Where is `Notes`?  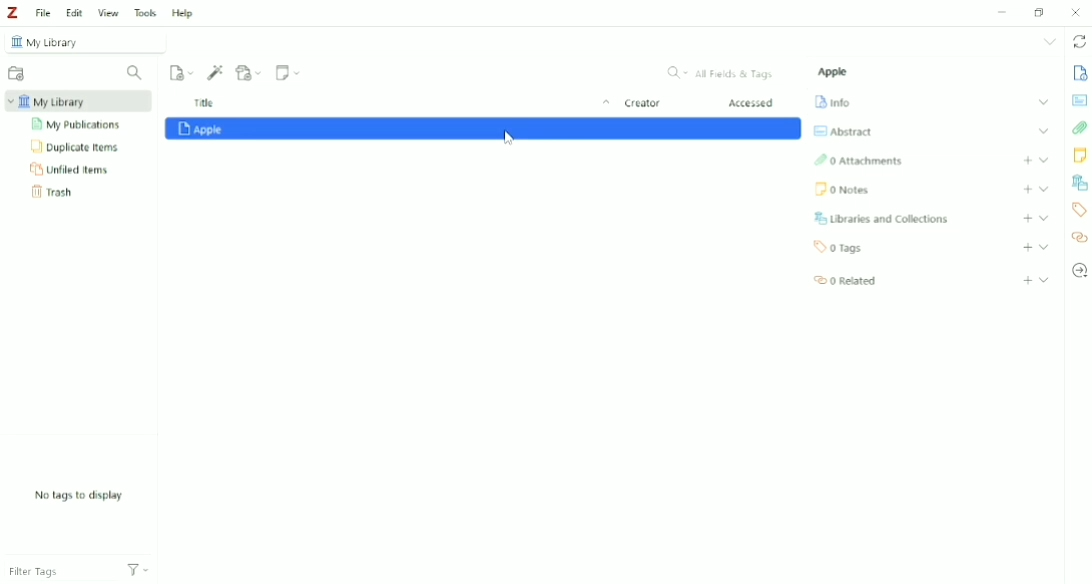 Notes is located at coordinates (843, 191).